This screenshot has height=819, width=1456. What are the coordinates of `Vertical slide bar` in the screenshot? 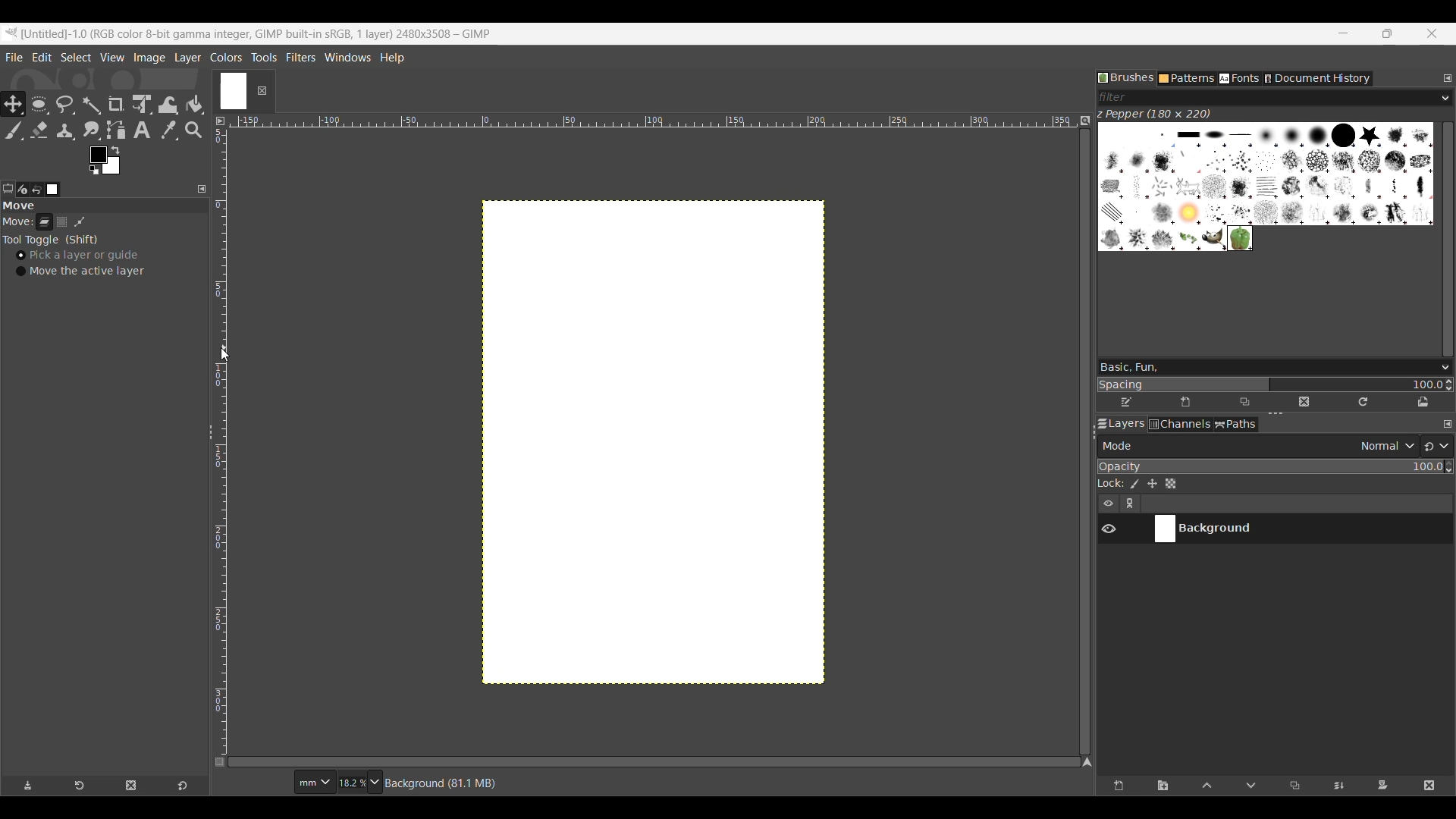 It's located at (1448, 239).